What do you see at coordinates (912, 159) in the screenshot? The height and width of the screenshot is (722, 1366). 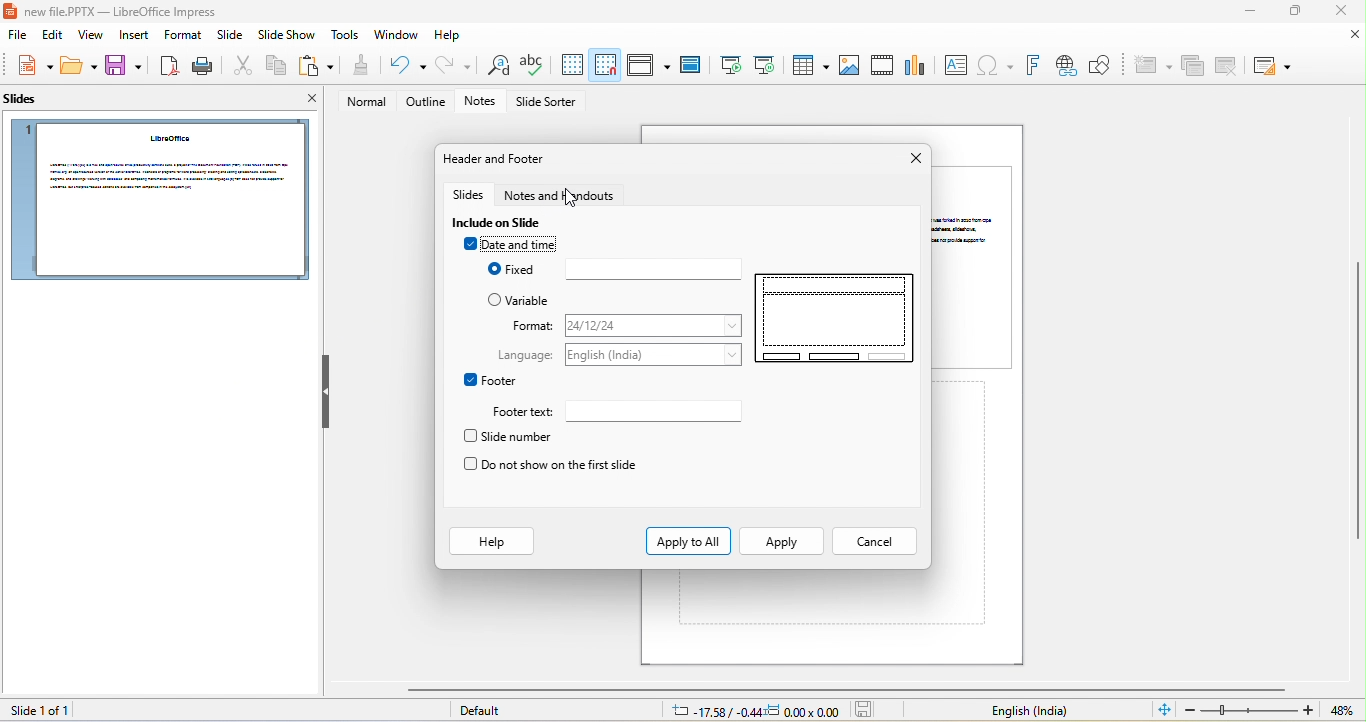 I see `close` at bounding box center [912, 159].